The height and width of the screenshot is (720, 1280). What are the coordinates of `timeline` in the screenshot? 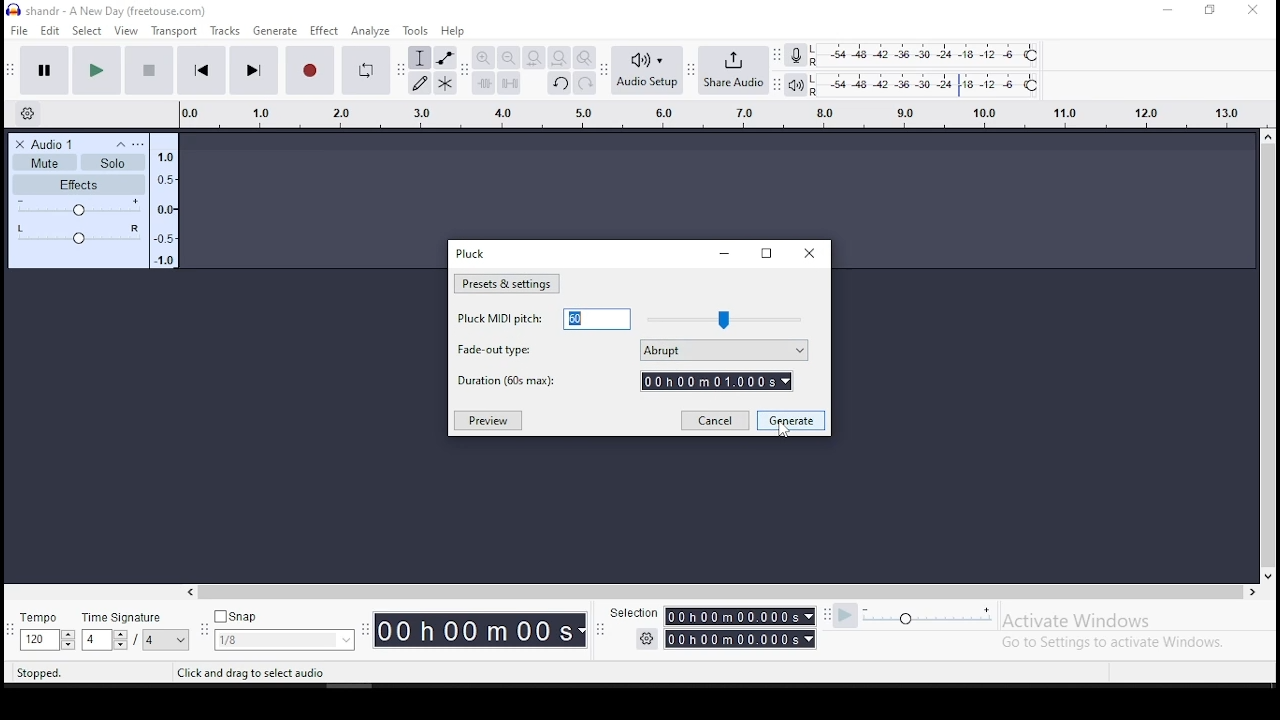 It's located at (714, 113).